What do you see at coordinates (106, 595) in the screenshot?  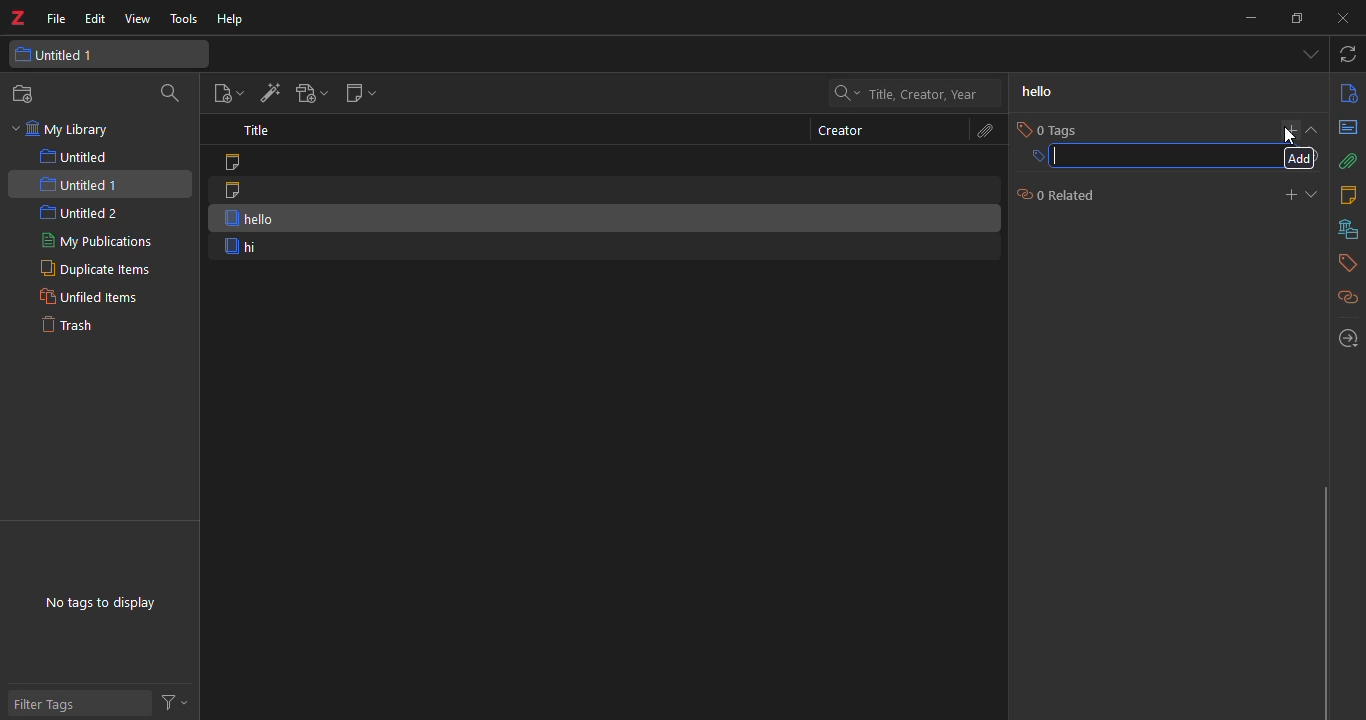 I see `no tags to display` at bounding box center [106, 595].